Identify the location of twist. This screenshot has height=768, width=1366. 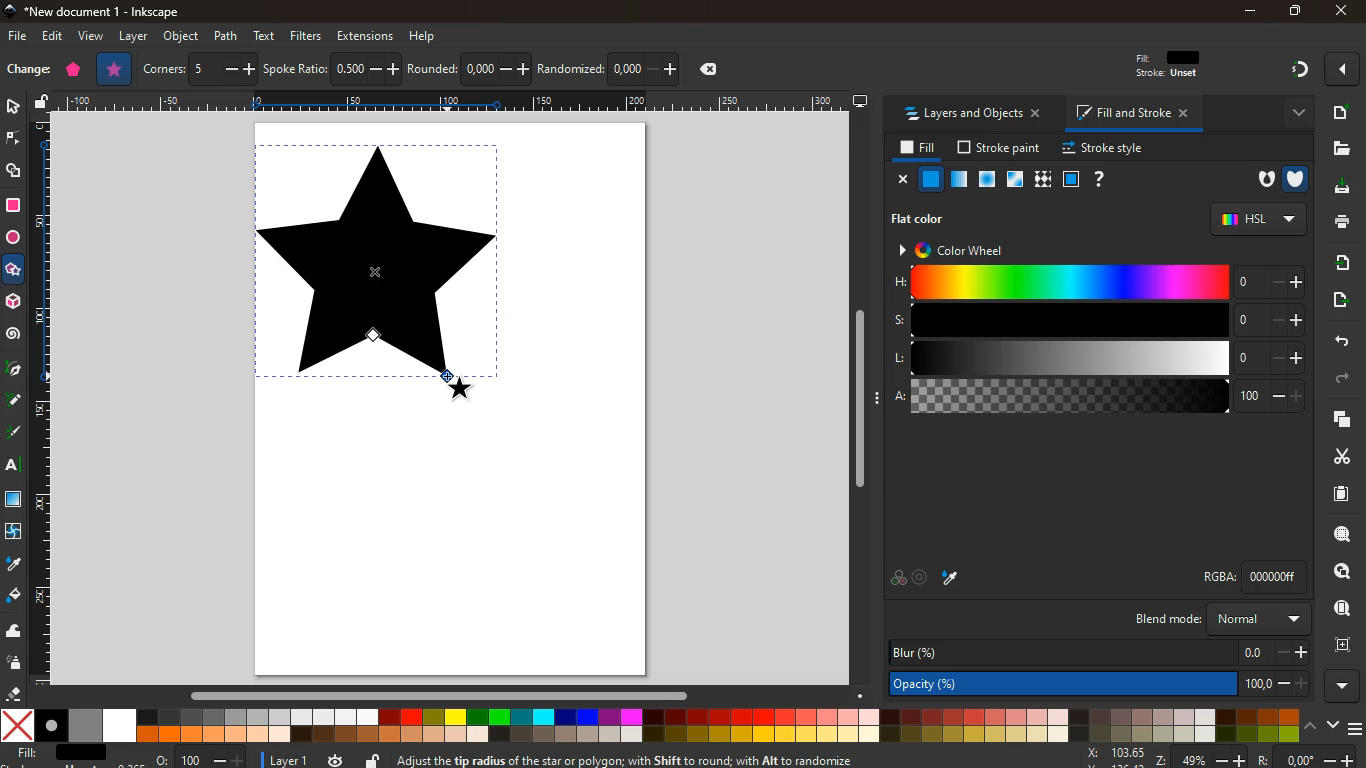
(15, 533).